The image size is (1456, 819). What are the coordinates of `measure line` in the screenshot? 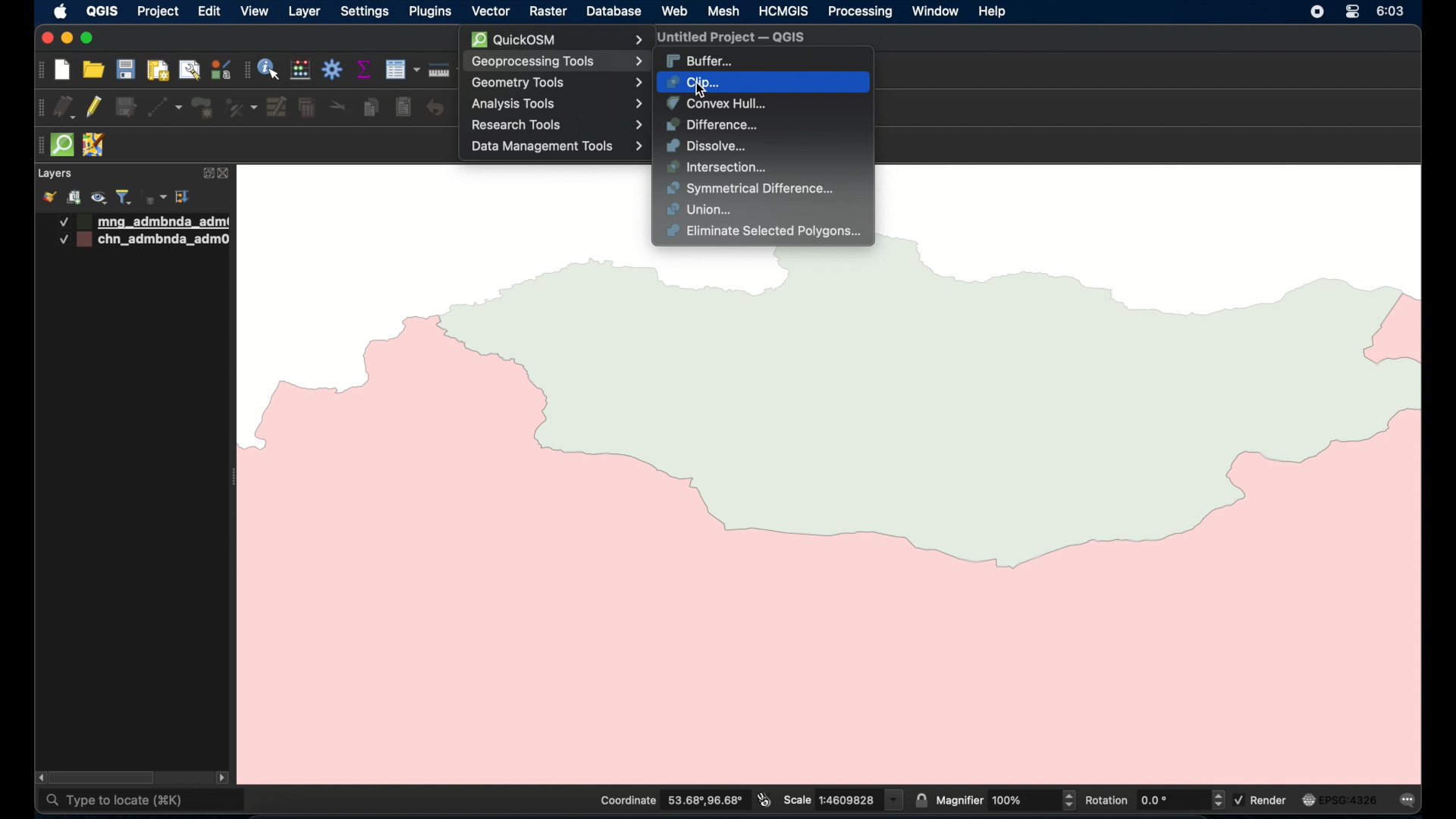 It's located at (446, 70).